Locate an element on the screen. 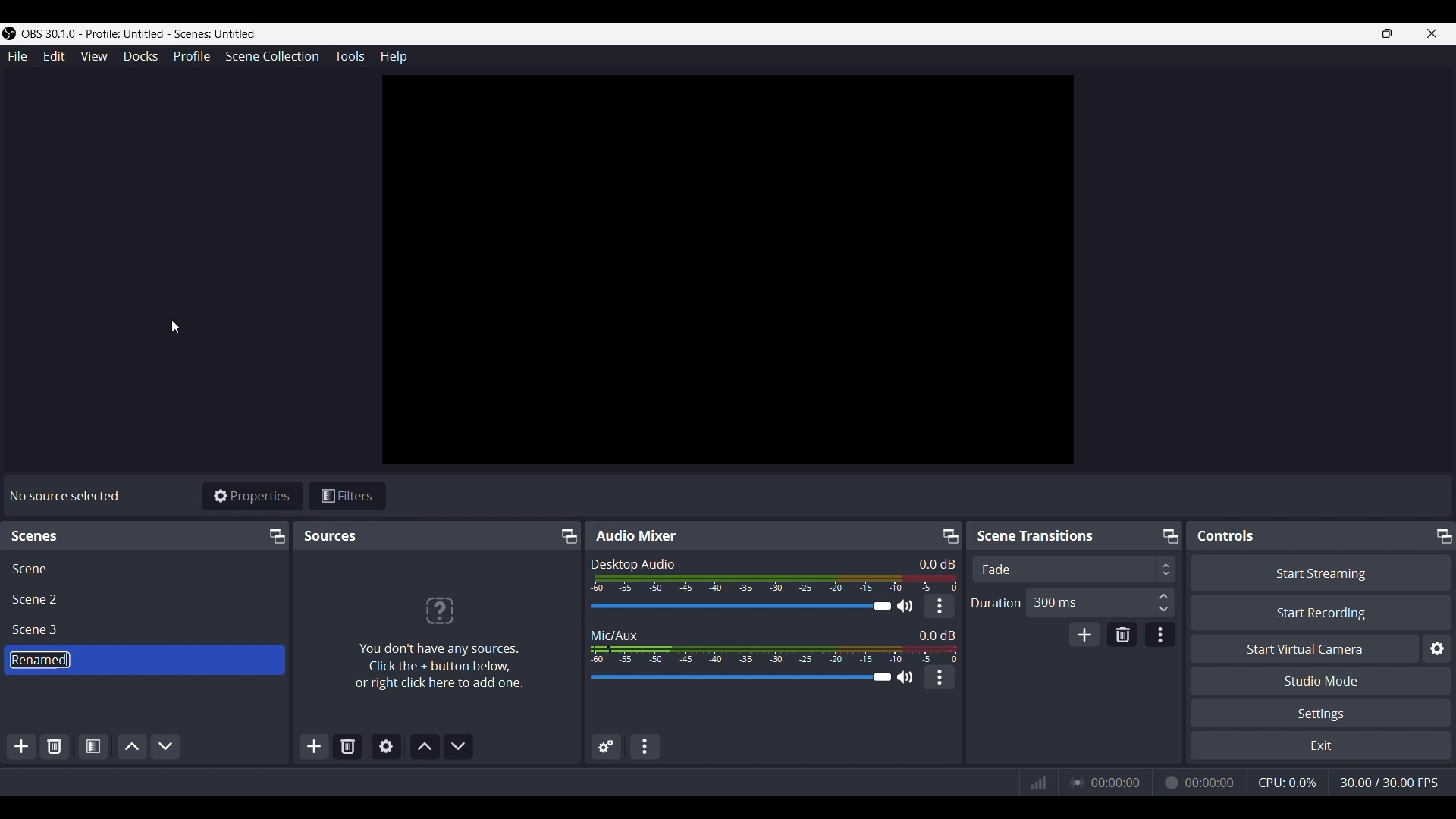  Start Virtual Camera is located at coordinates (1304, 649).